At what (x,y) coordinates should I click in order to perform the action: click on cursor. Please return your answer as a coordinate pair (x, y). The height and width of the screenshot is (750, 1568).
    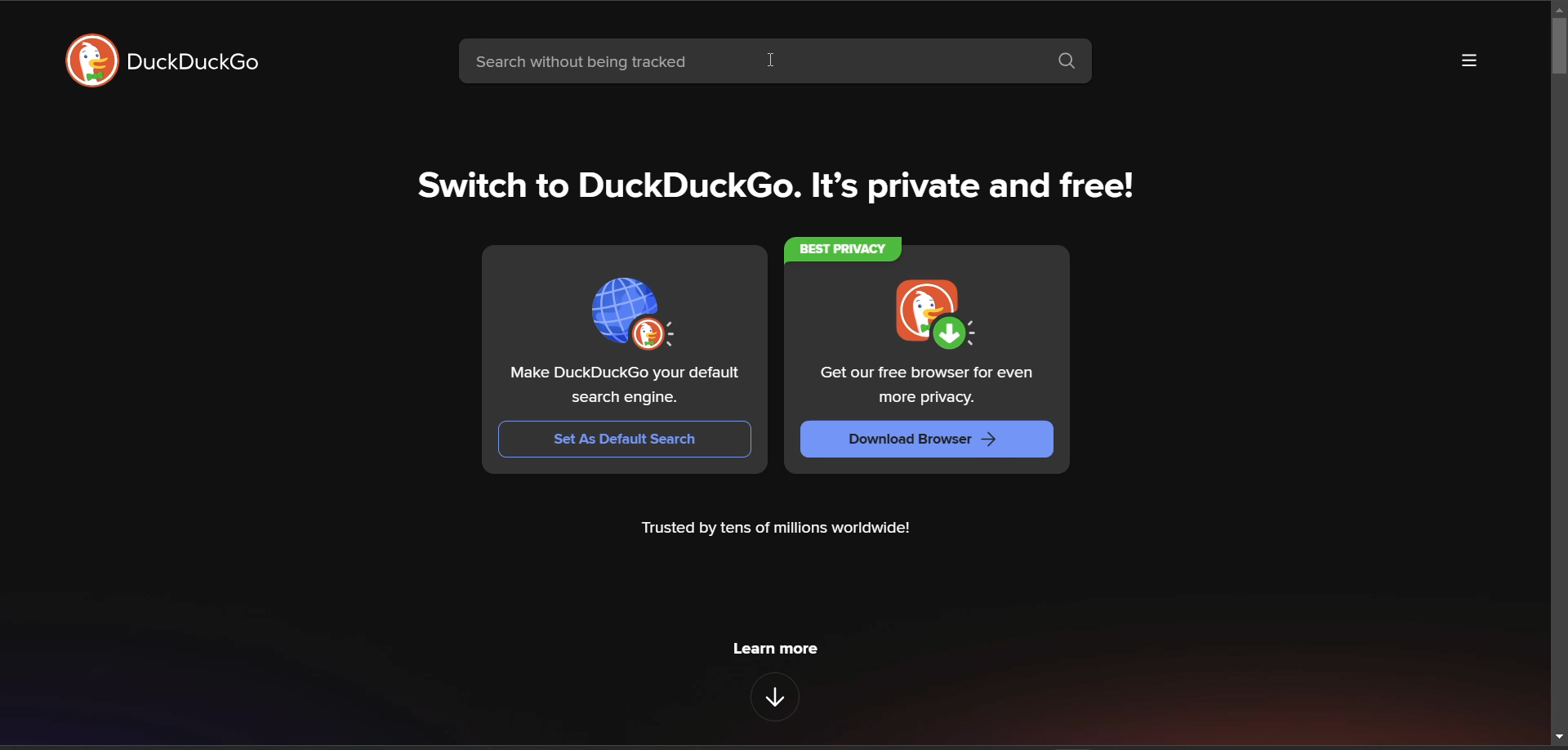
    Looking at the image, I should click on (772, 62).